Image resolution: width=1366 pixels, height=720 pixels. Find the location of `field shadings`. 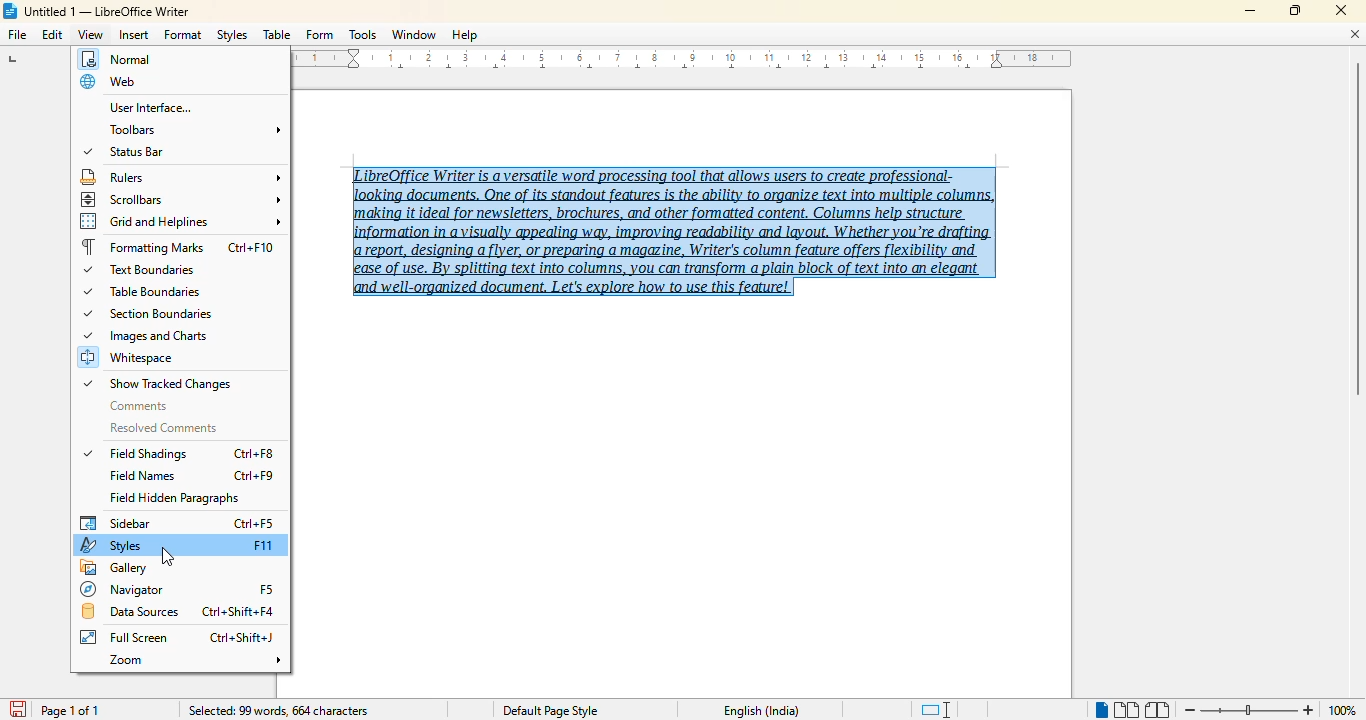

field shadings is located at coordinates (178, 454).